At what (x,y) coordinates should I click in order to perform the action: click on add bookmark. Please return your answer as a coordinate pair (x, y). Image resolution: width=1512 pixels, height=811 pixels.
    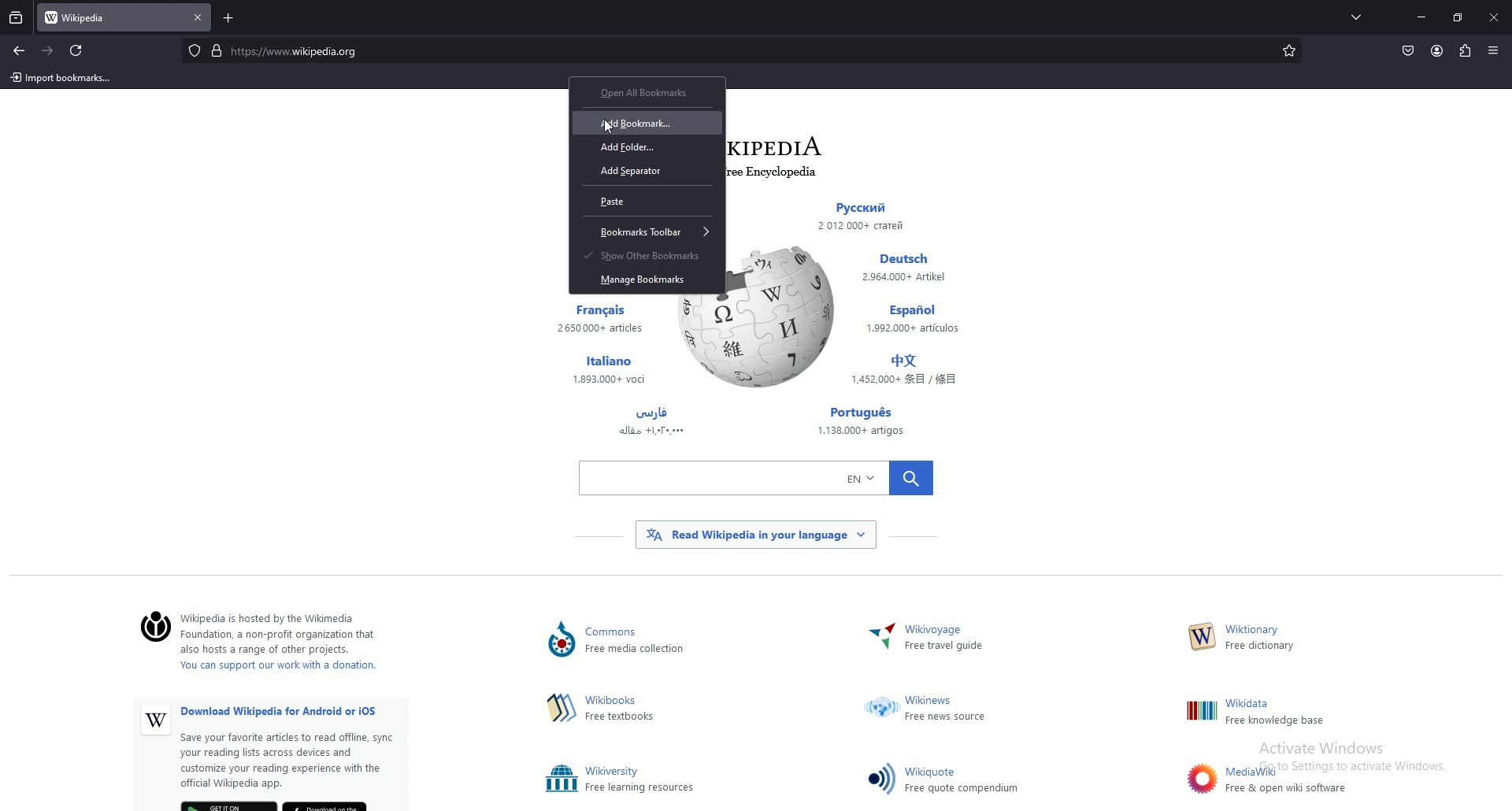
    Looking at the image, I should click on (647, 124).